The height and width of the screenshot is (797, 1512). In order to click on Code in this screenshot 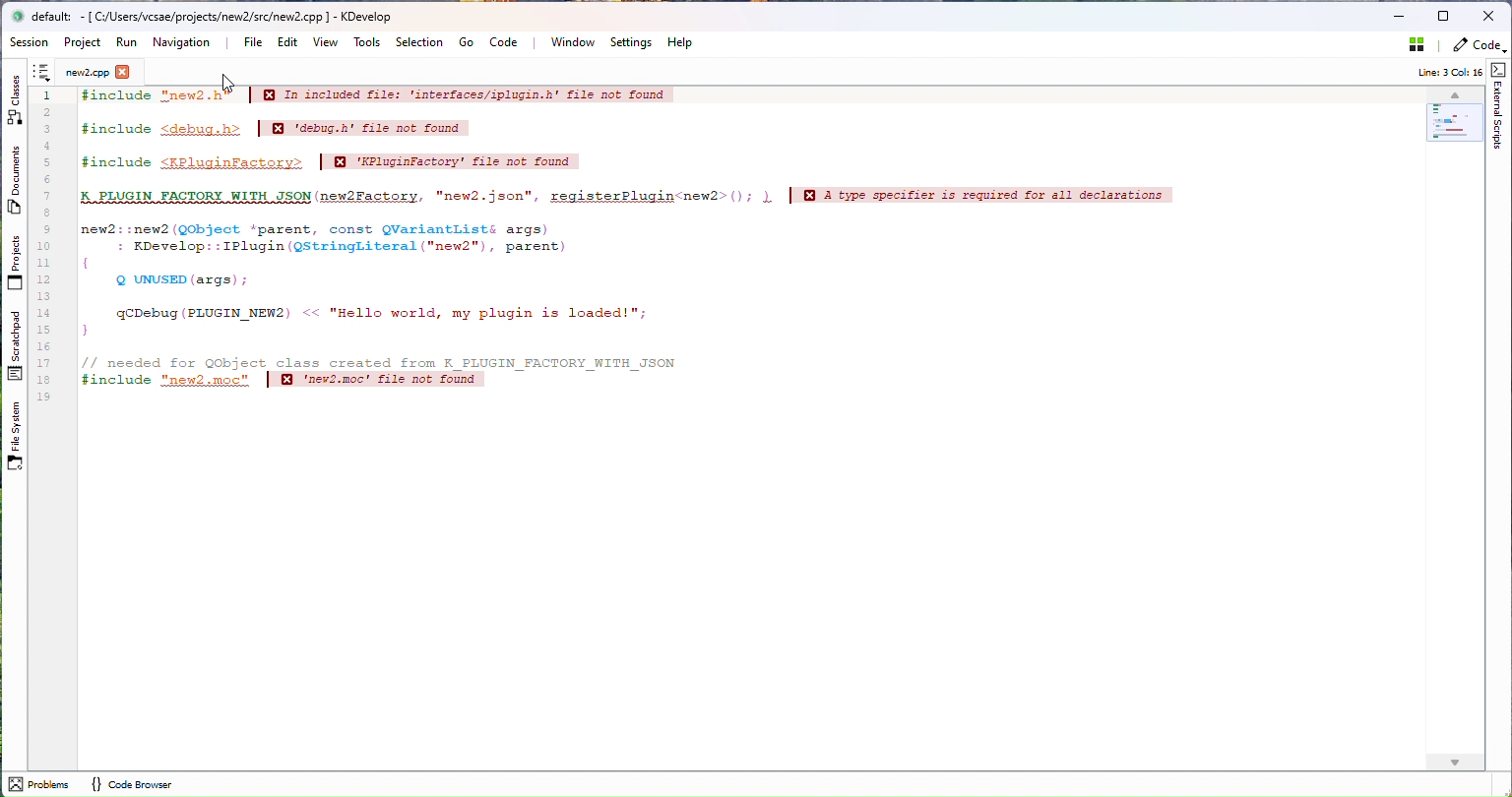, I will do `click(506, 43)`.